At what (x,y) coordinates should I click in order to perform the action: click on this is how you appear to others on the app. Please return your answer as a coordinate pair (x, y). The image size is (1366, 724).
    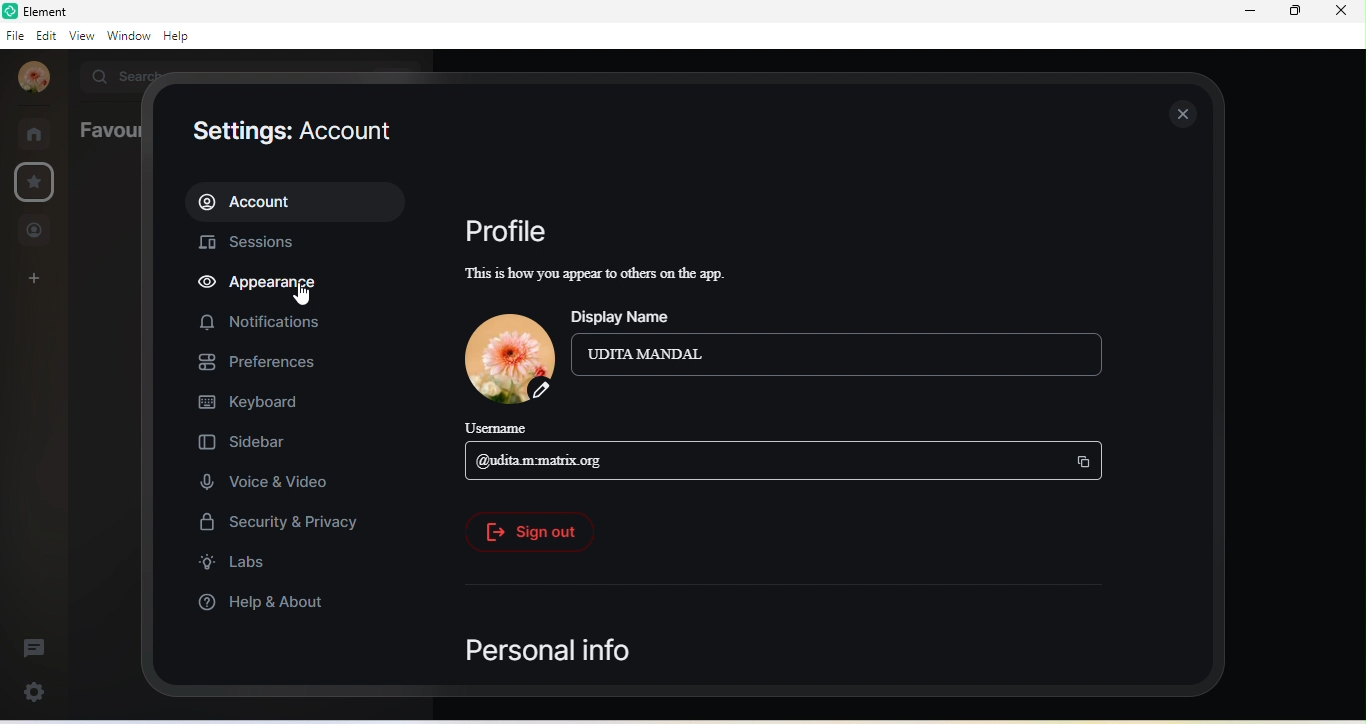
    Looking at the image, I should click on (613, 275).